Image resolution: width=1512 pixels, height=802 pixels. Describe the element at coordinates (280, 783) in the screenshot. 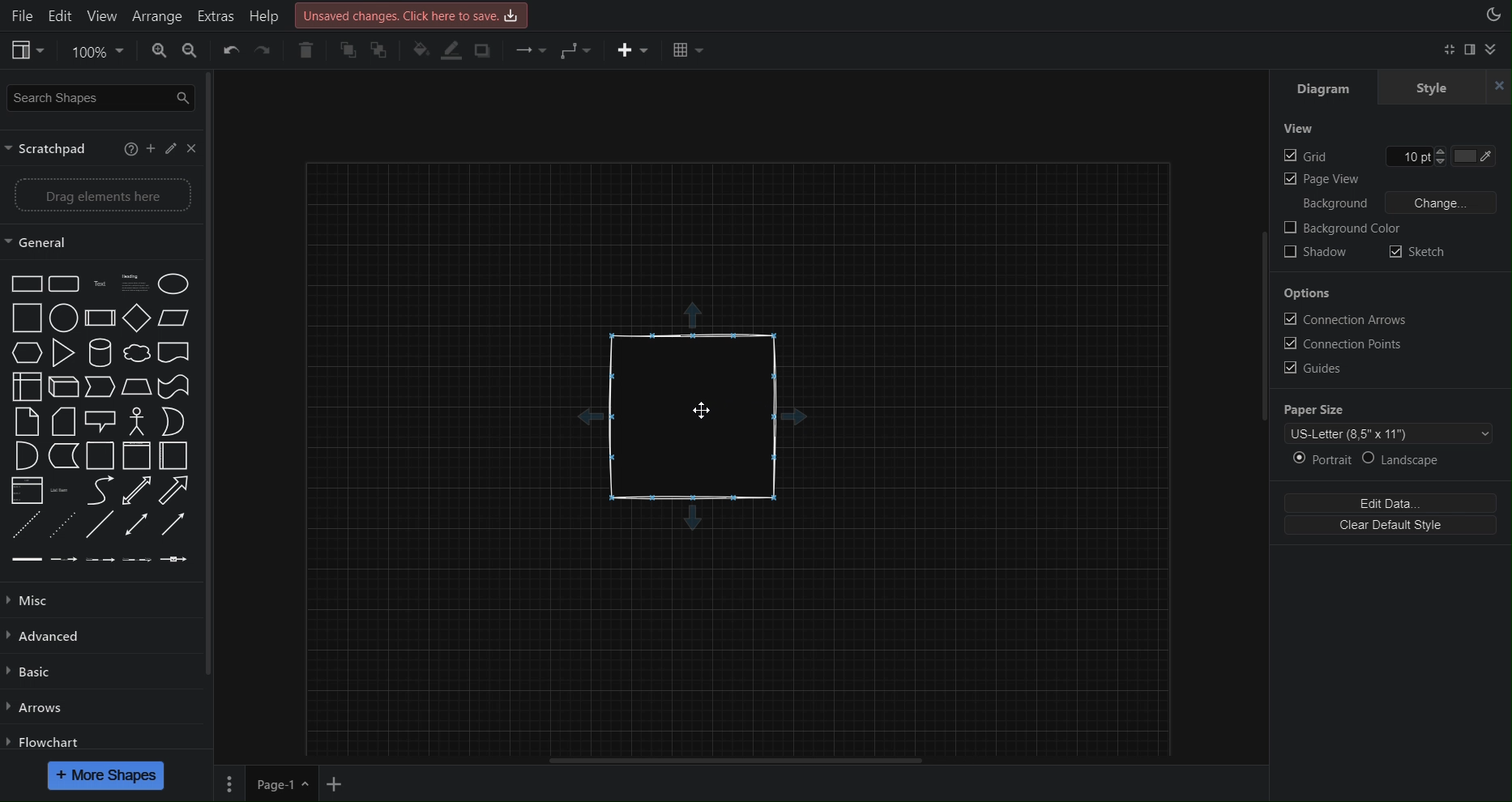

I see `Page 1` at that location.